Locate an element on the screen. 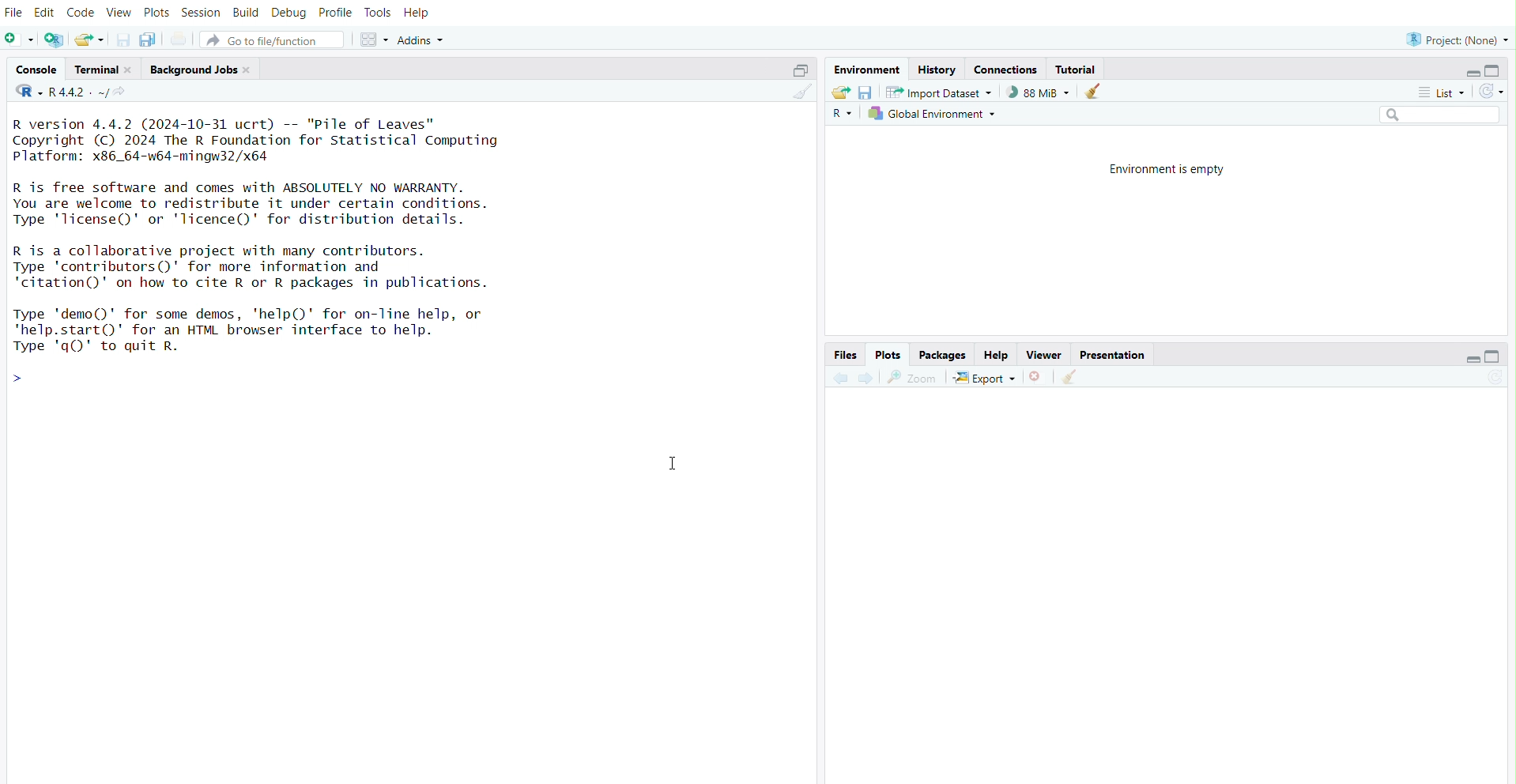 This screenshot has width=1516, height=784. language select is located at coordinates (843, 116).